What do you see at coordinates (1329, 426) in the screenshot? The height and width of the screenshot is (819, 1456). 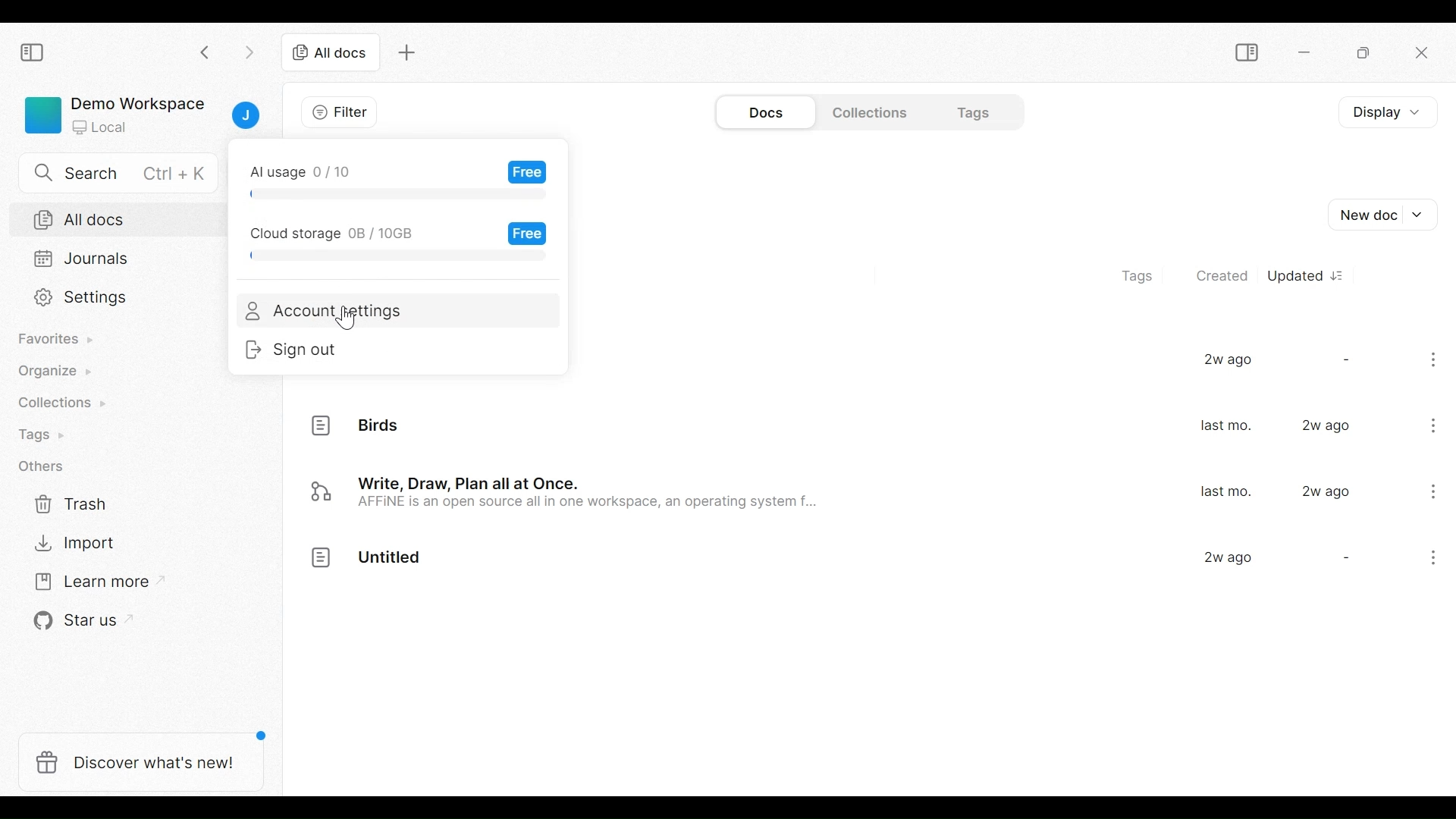 I see `2w ago` at bounding box center [1329, 426].